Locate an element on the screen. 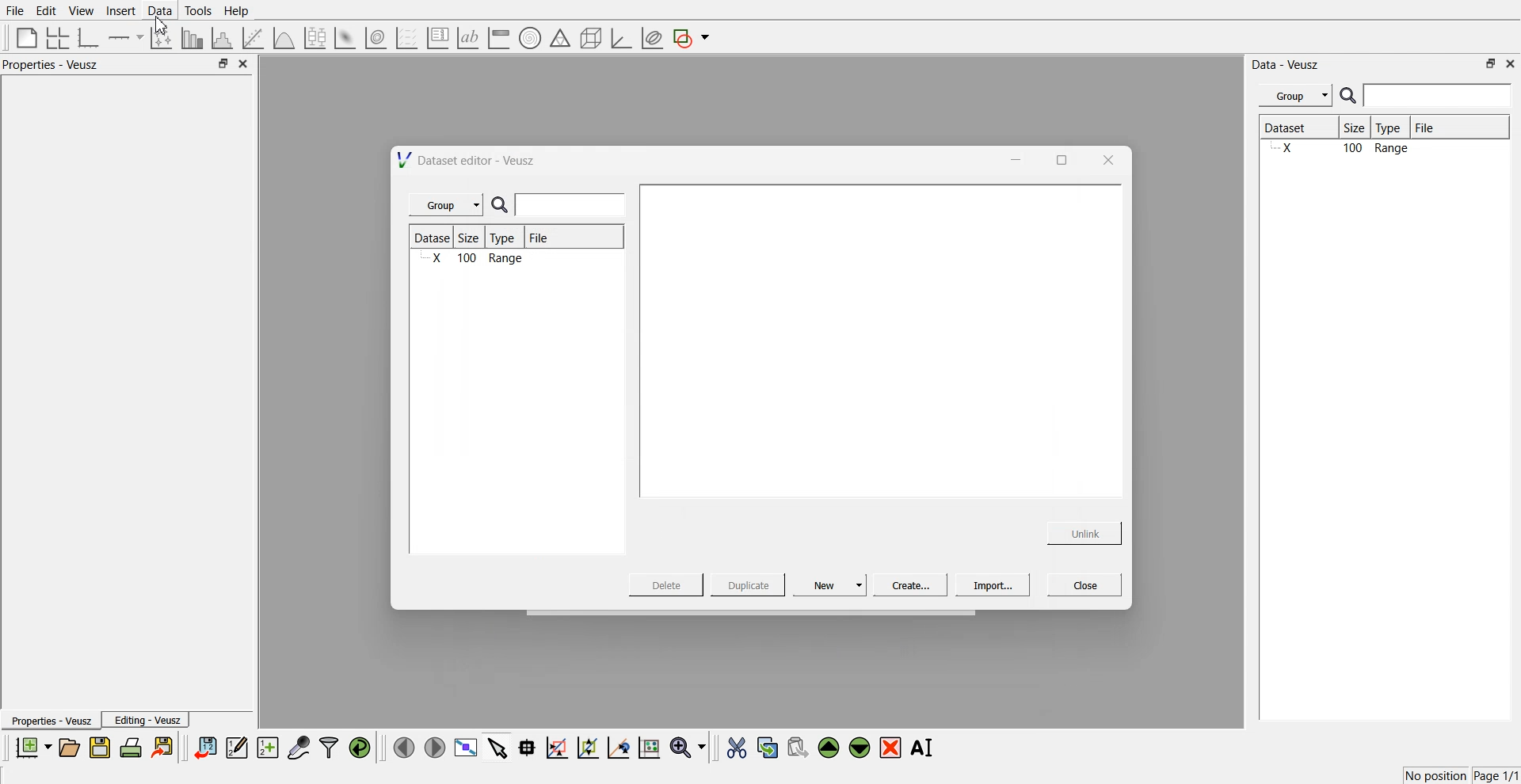  X 100 Range is located at coordinates (1382, 150).